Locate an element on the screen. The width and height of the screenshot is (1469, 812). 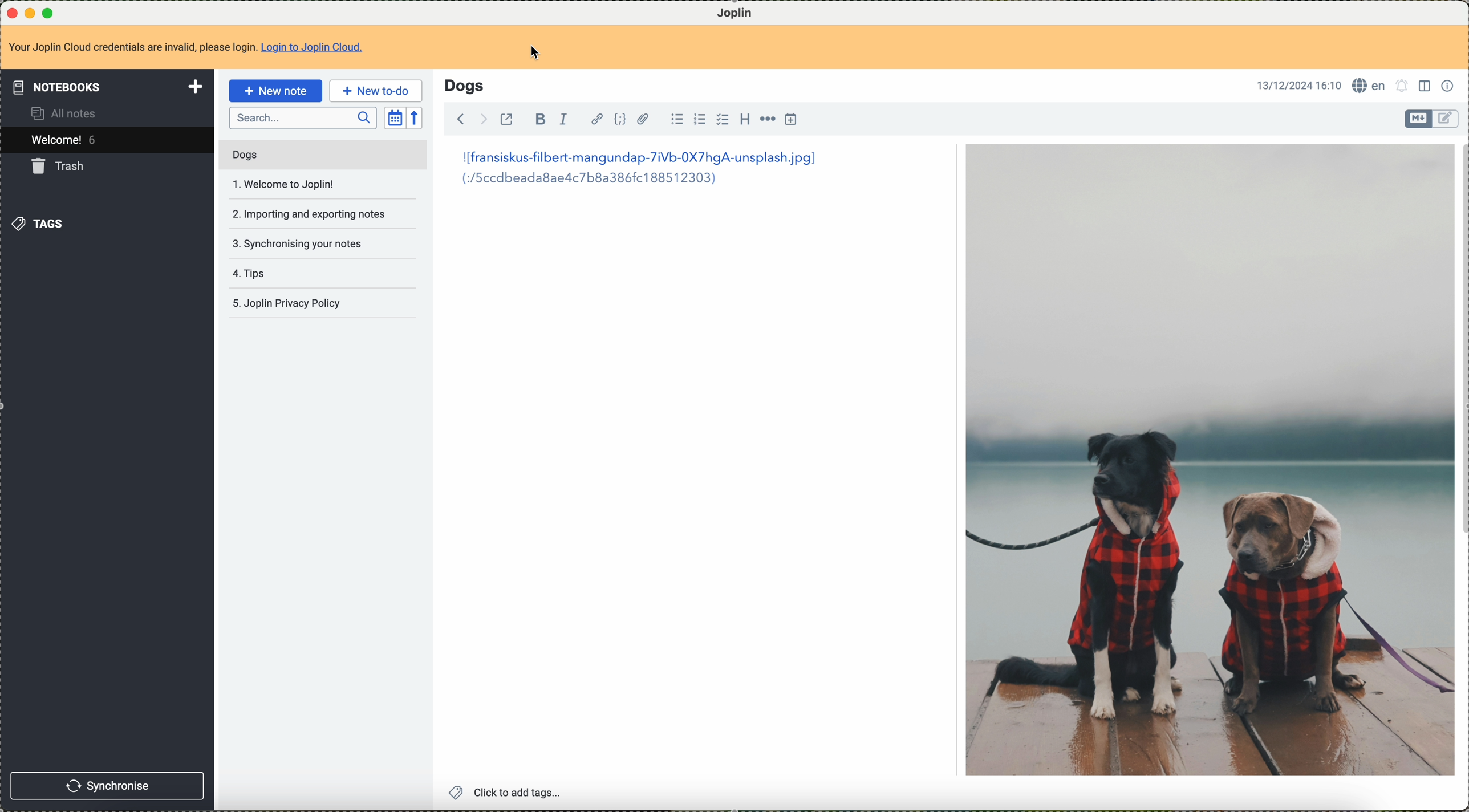
toggle sort order field is located at coordinates (394, 117).